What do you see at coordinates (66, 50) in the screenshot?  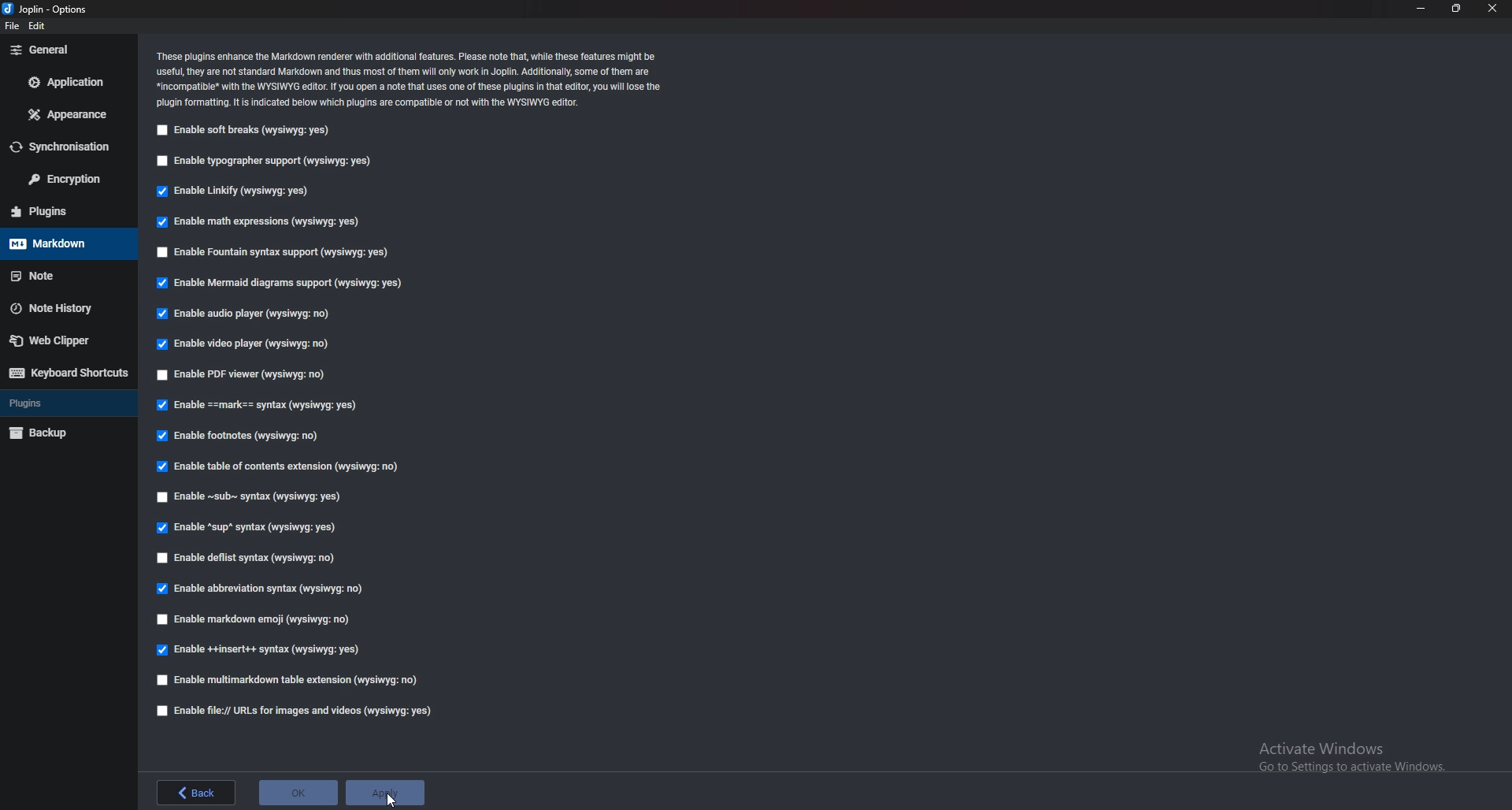 I see `general` at bounding box center [66, 50].